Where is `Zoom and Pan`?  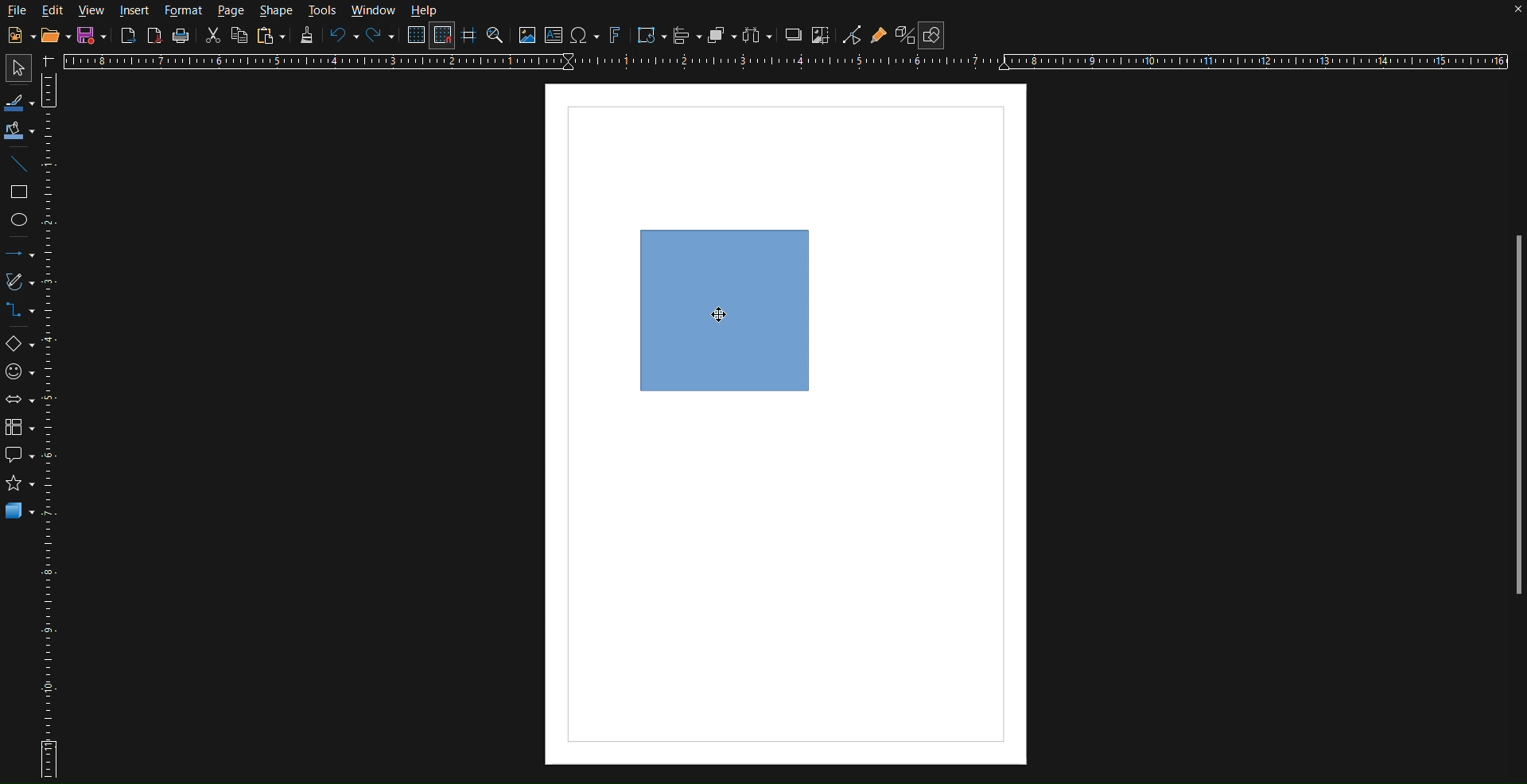 Zoom and Pan is located at coordinates (497, 37).